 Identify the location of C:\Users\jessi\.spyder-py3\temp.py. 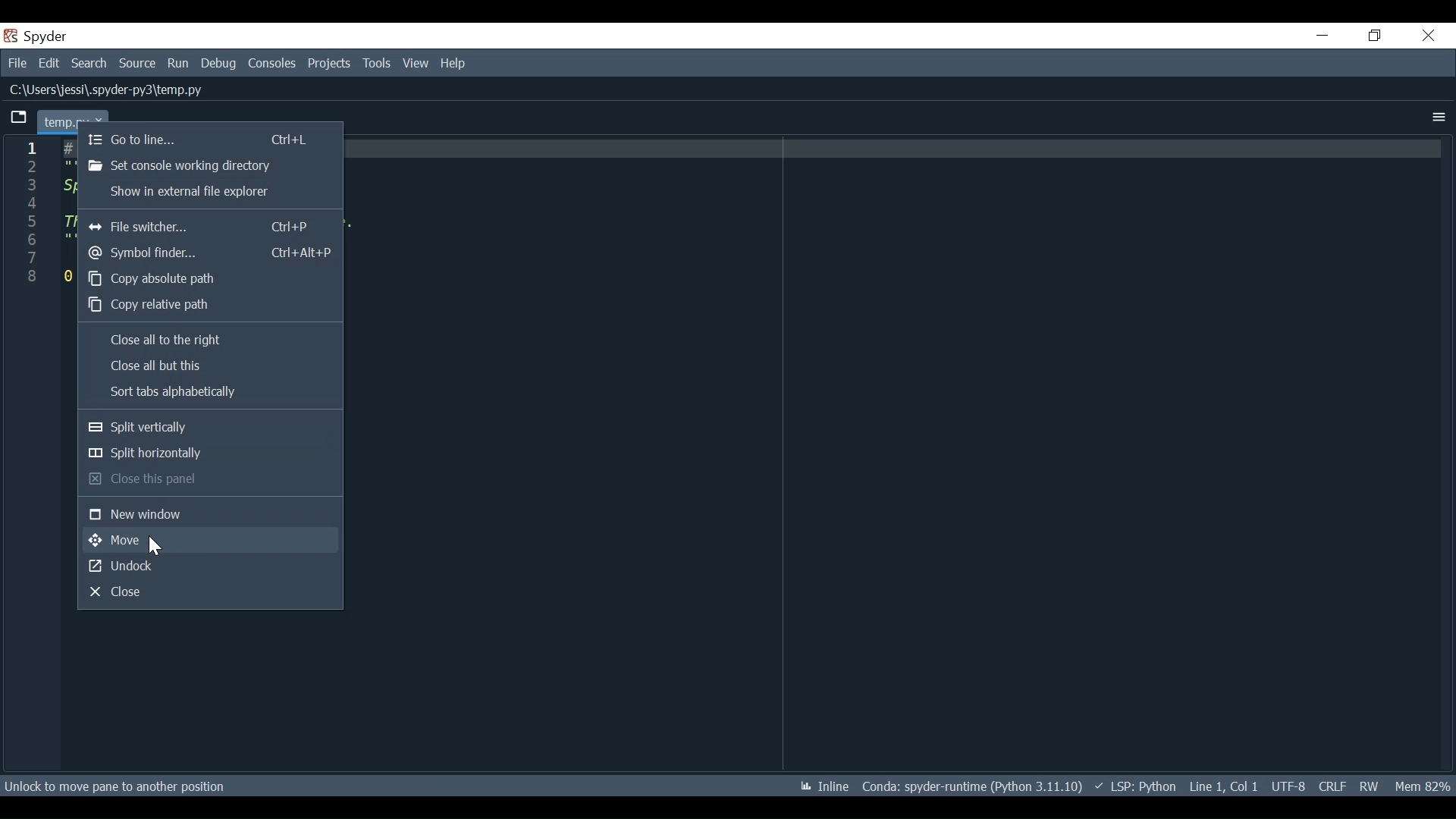
(104, 91).